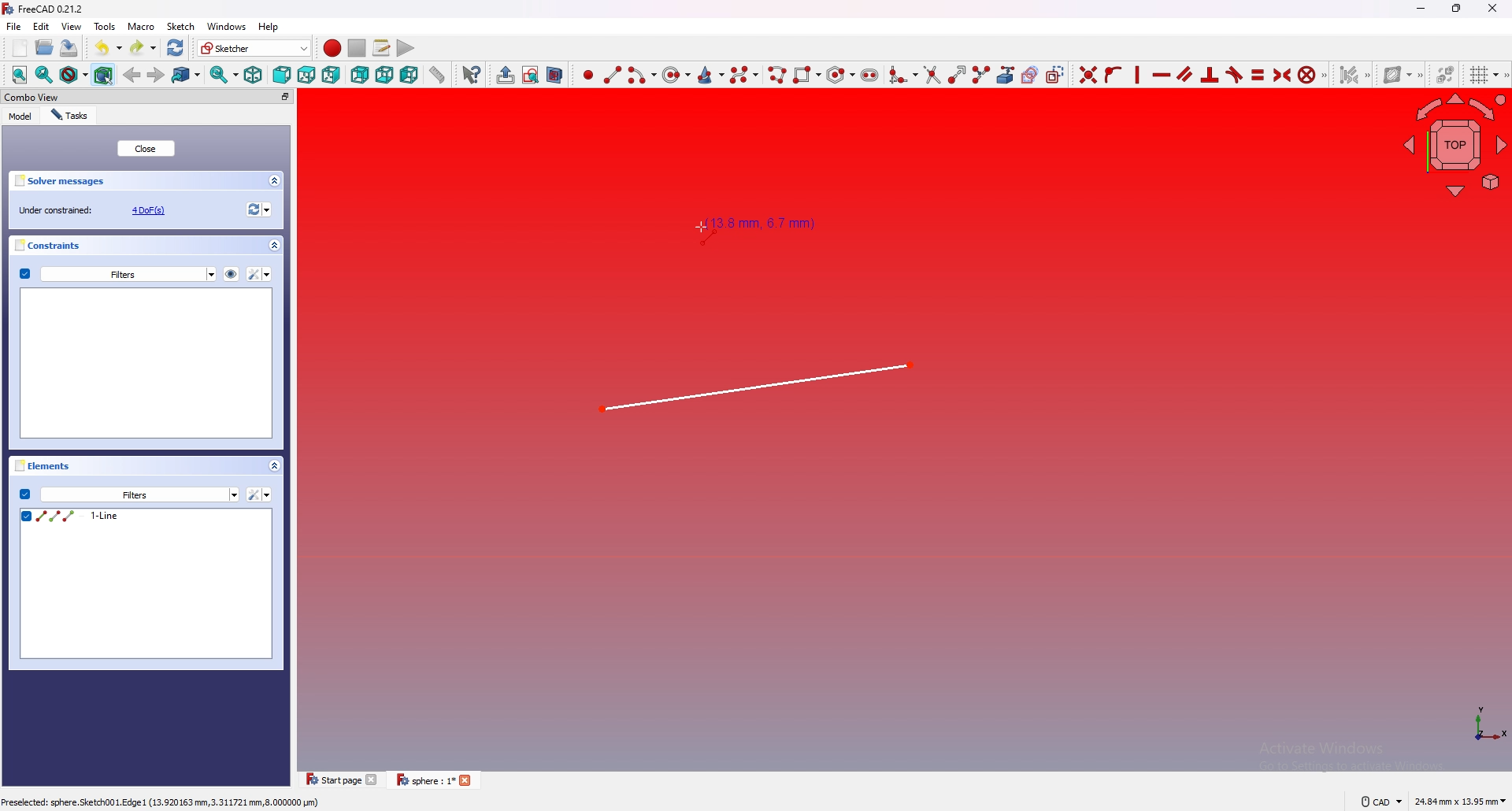 The image size is (1512, 811). Describe the element at coordinates (329, 48) in the screenshot. I see `Macro recording` at that location.